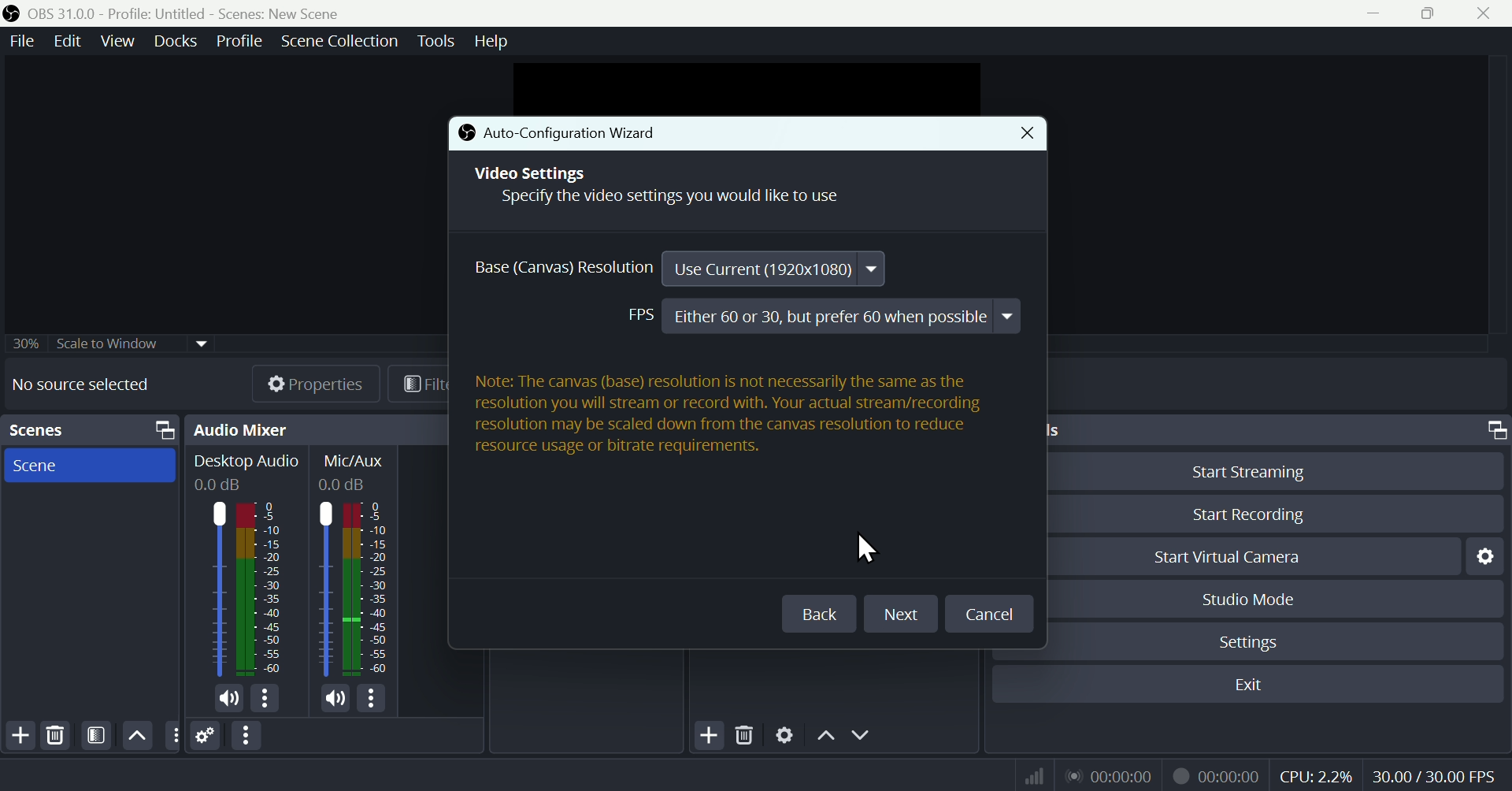 The image size is (1512, 791). I want to click on Add, so click(707, 733).